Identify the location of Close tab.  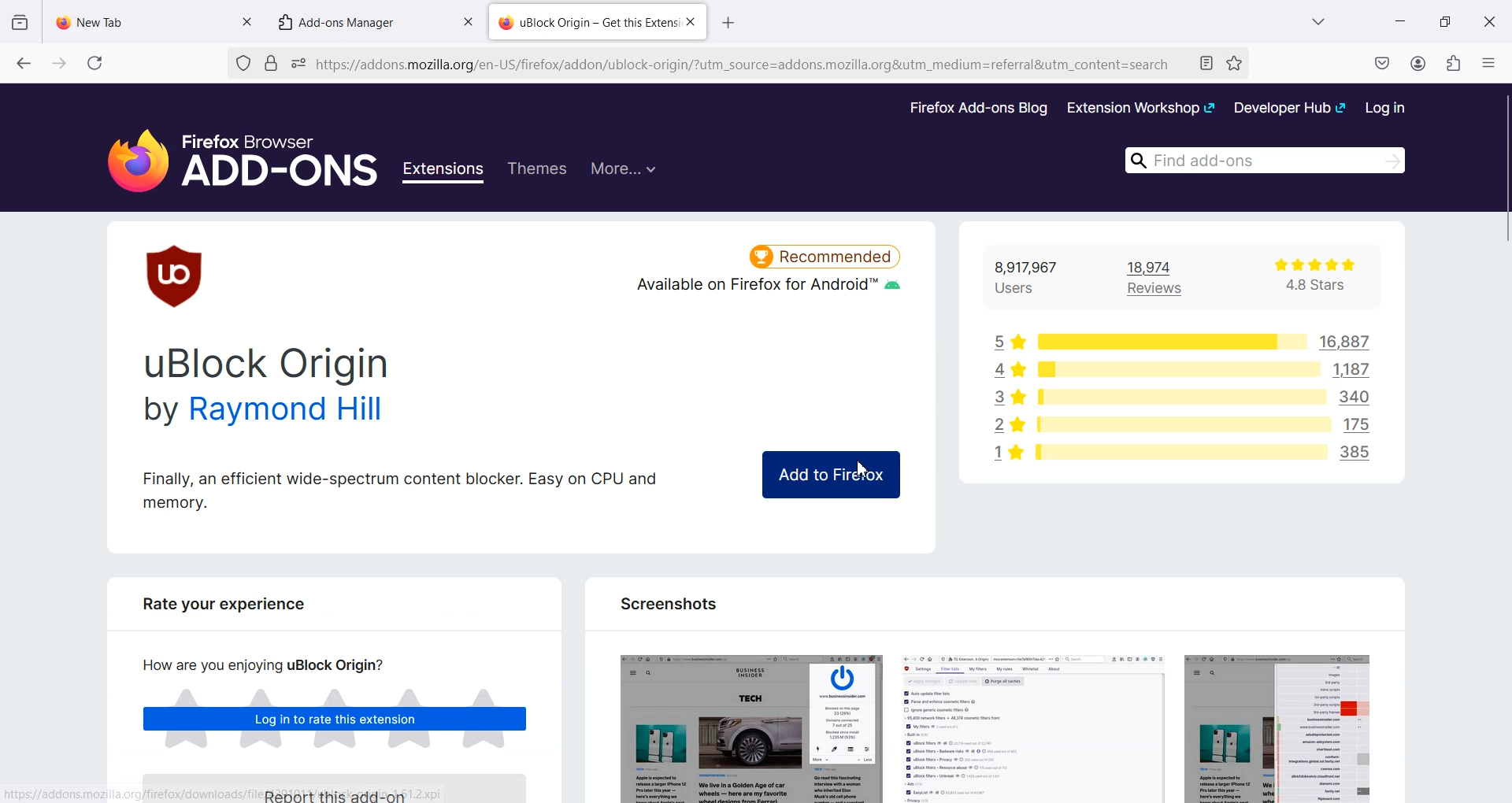
(246, 20).